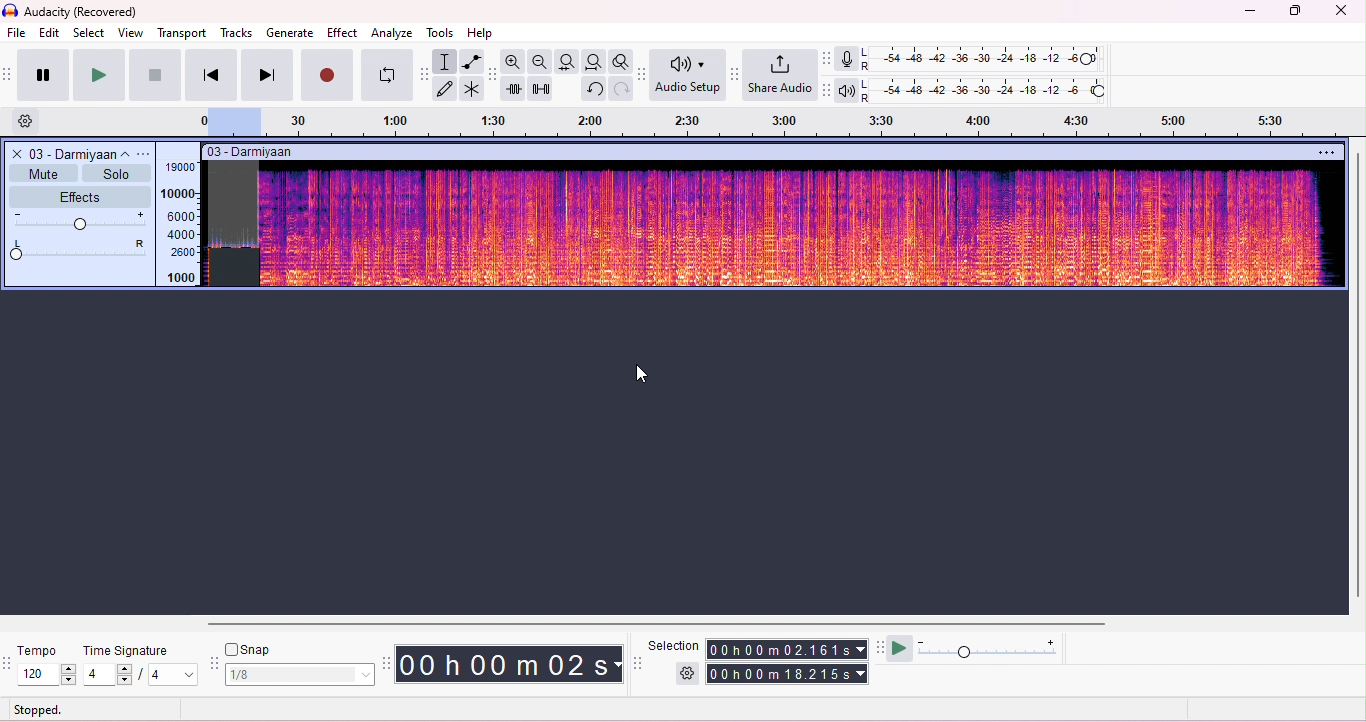 The image size is (1366, 722). Describe the element at coordinates (234, 267) in the screenshot. I see `spectral edit done` at that location.